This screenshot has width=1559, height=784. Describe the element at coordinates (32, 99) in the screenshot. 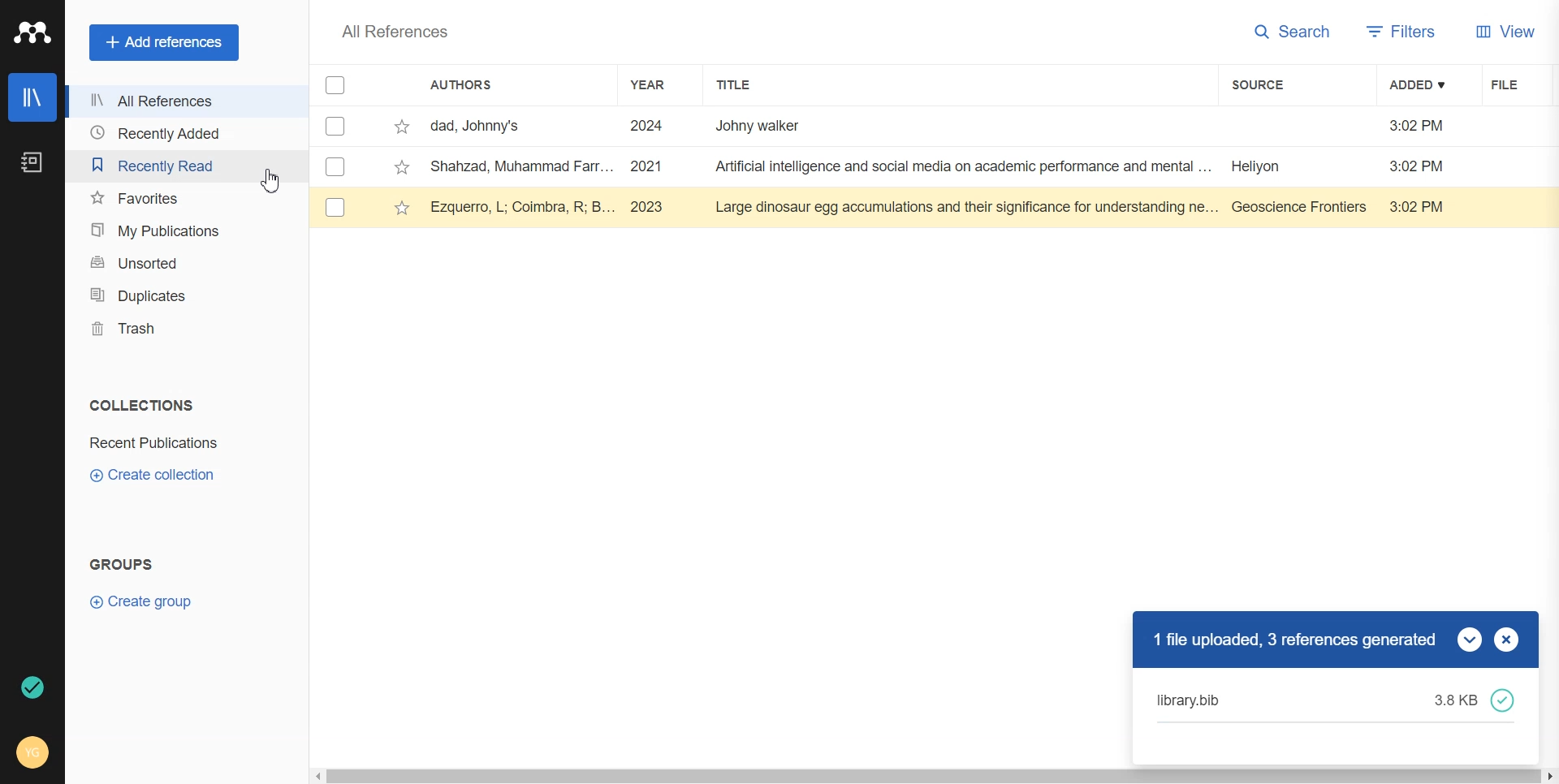

I see `Library` at that location.